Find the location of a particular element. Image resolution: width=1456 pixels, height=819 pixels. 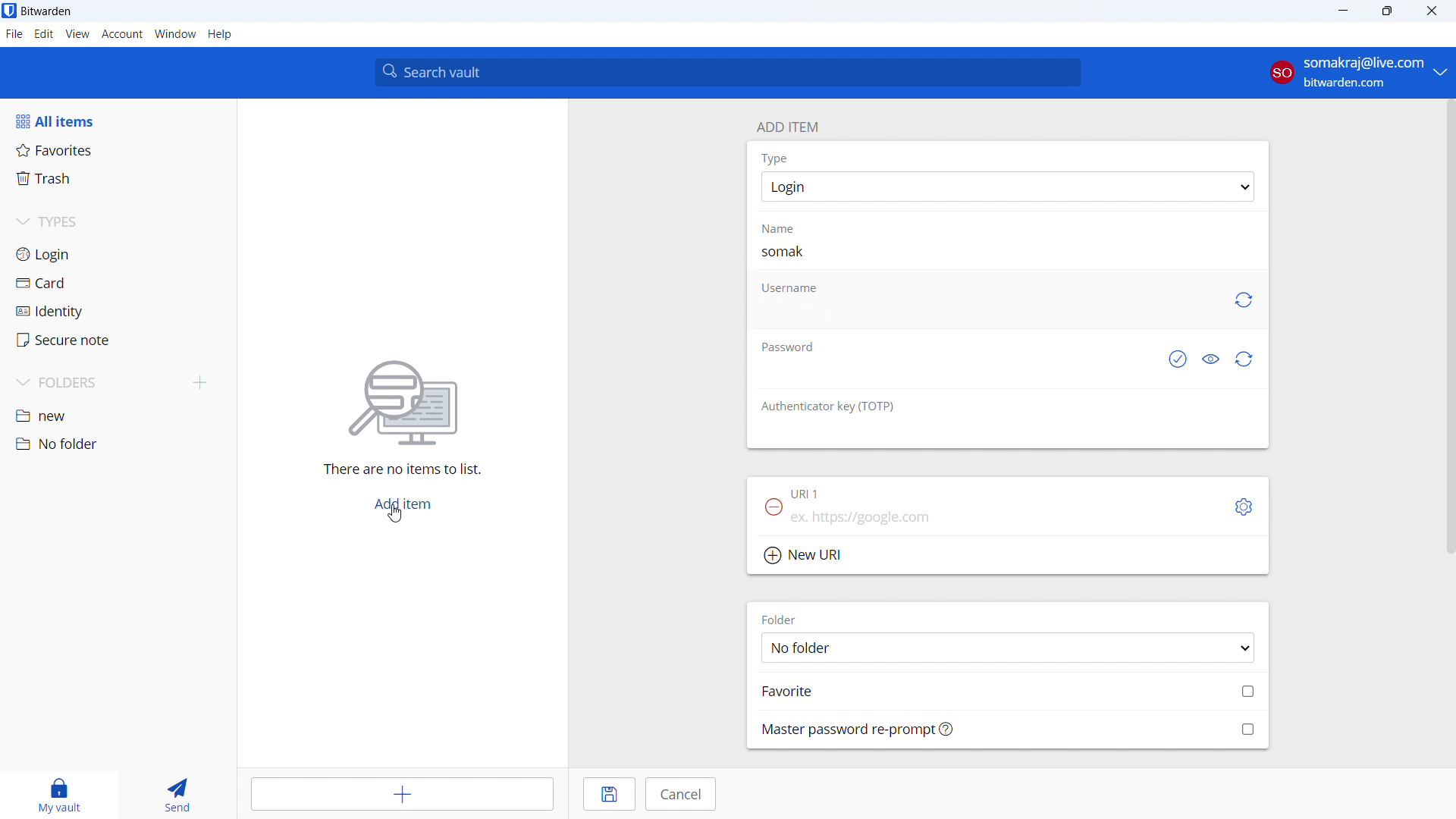

URL 1 is located at coordinates (808, 495).